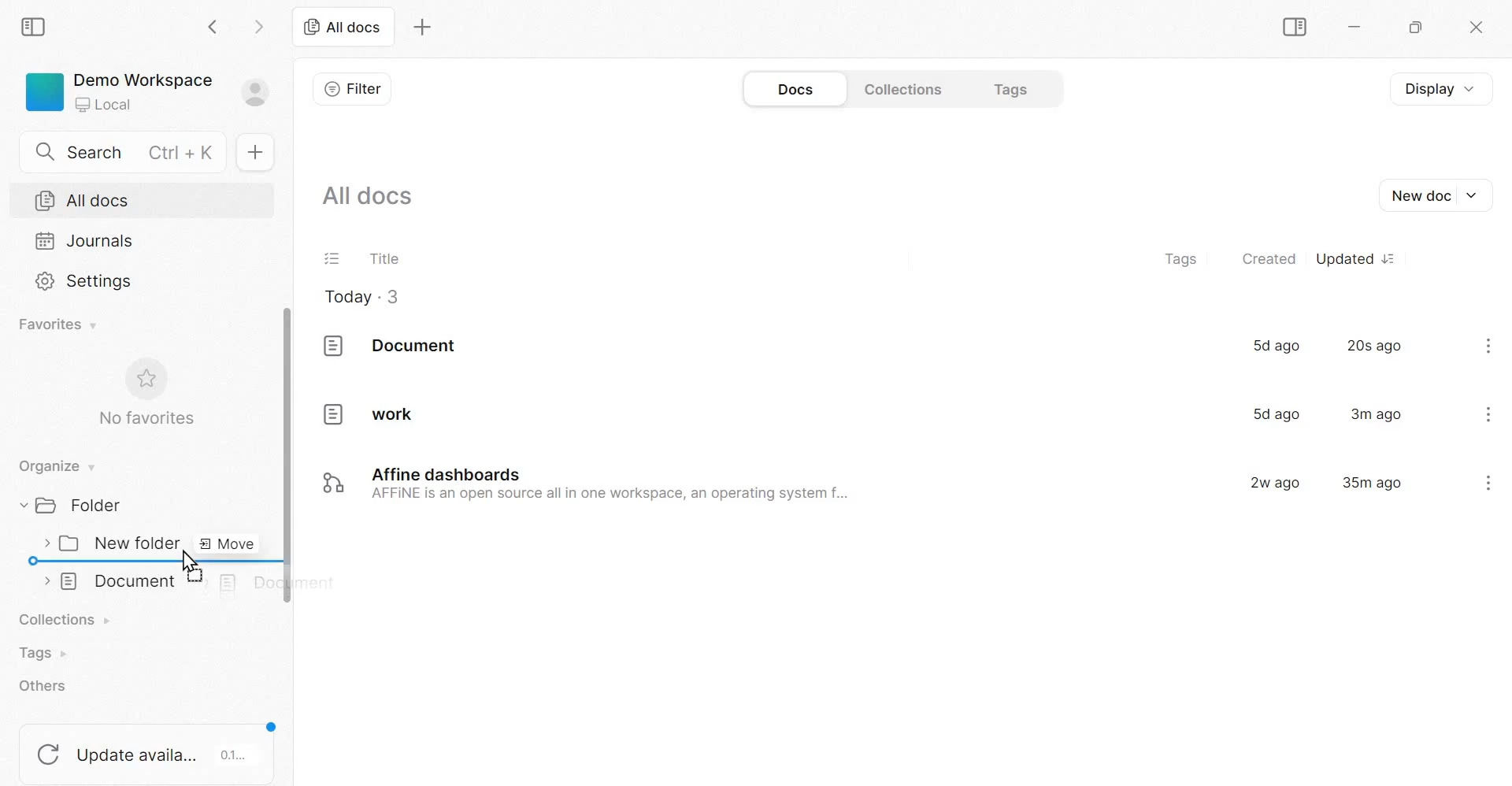 This screenshot has height=786, width=1512. Describe the element at coordinates (20, 506) in the screenshot. I see `collapse/expand` at that location.